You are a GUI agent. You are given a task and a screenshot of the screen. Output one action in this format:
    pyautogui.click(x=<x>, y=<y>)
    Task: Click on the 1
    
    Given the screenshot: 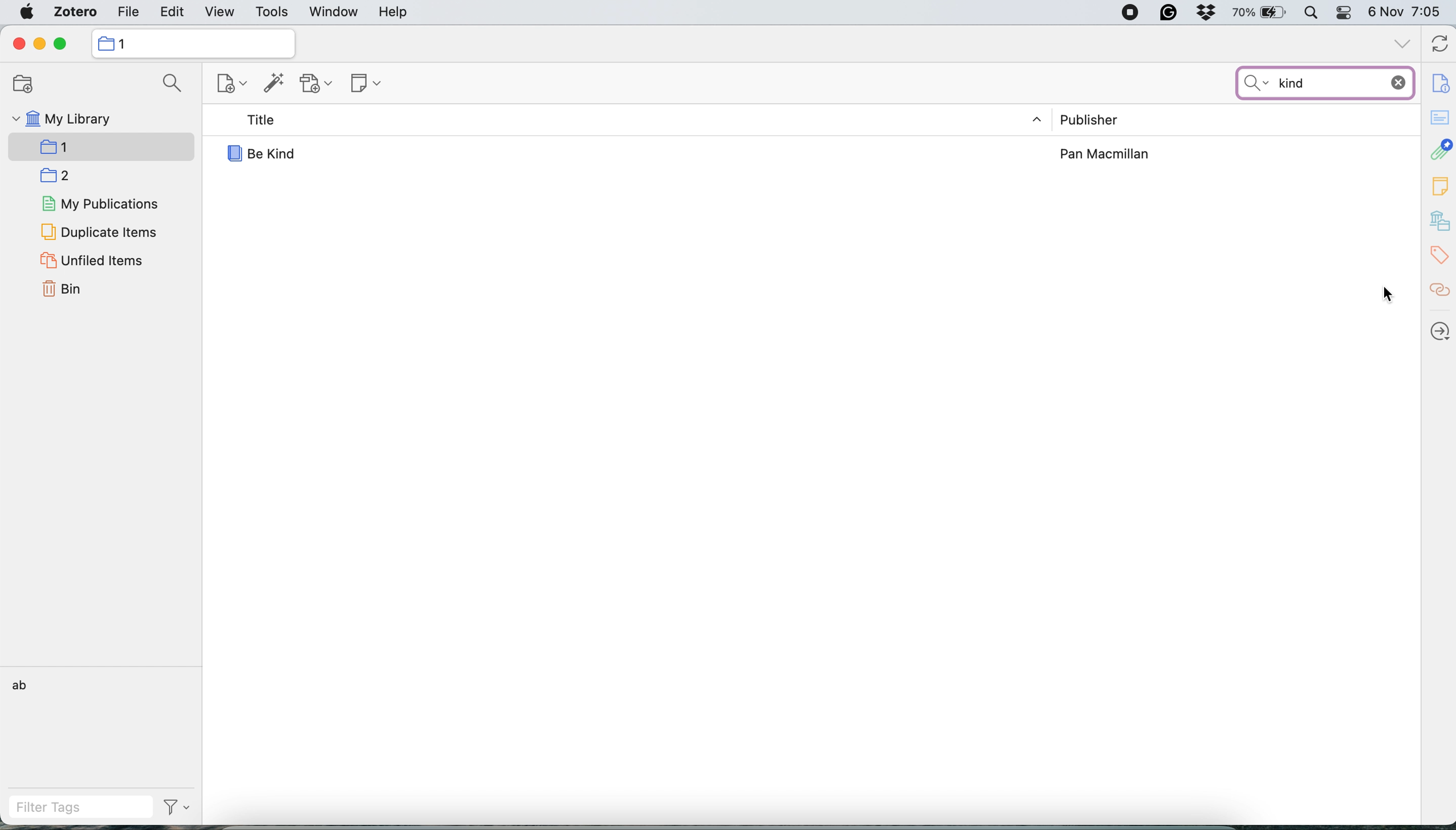 What is the action you would take?
    pyautogui.click(x=127, y=44)
    